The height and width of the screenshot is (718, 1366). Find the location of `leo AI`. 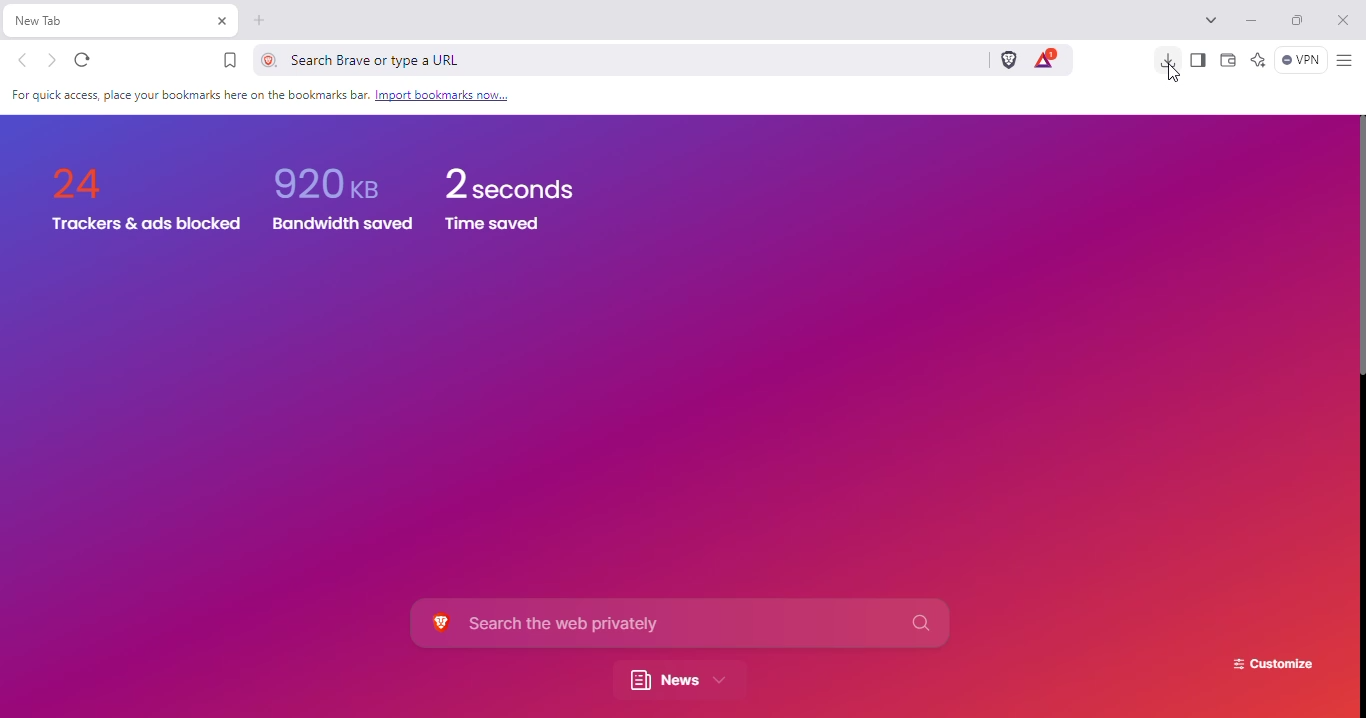

leo AI is located at coordinates (1258, 59).